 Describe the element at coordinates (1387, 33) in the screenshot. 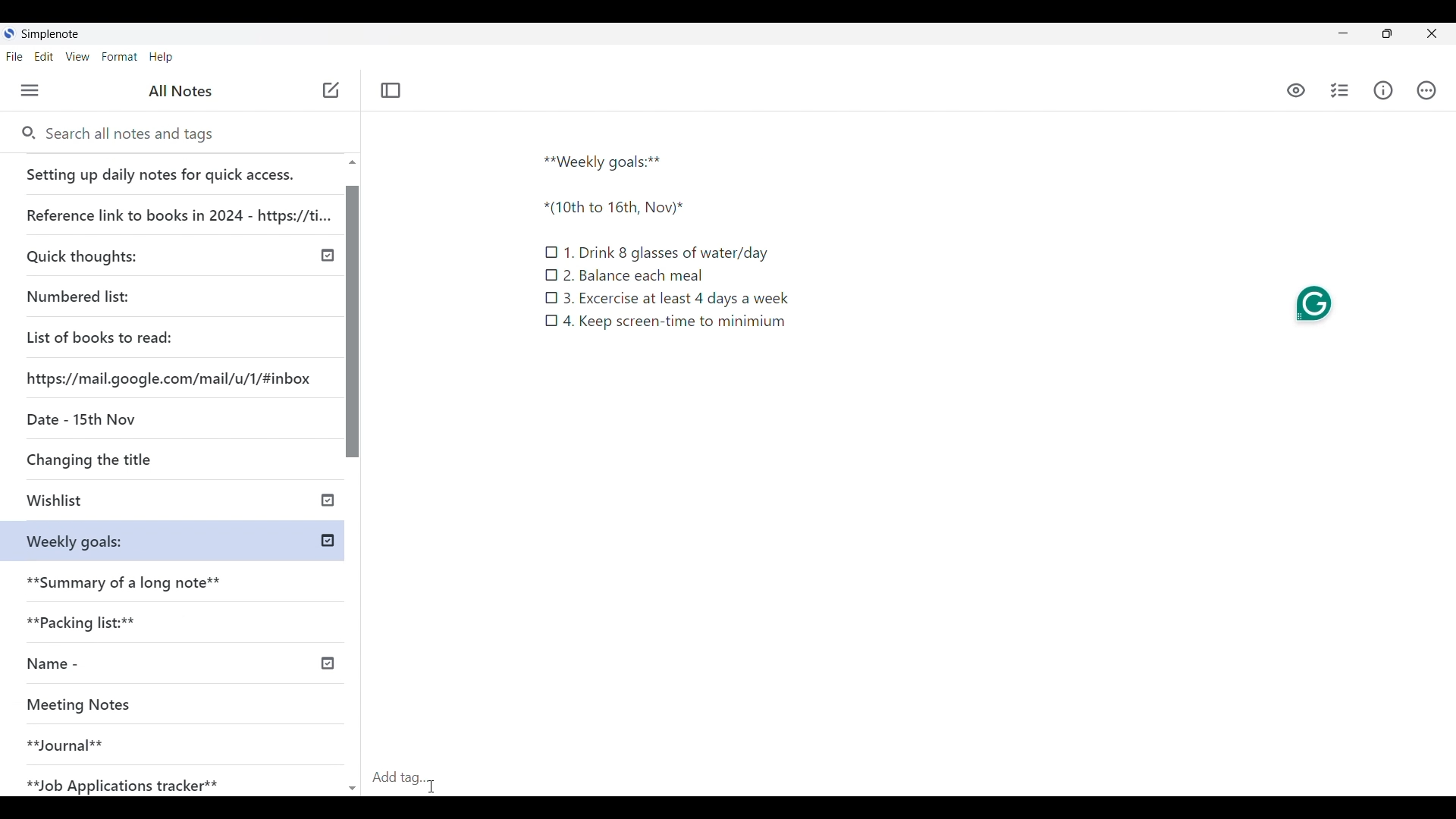

I see `toggle screen` at that location.